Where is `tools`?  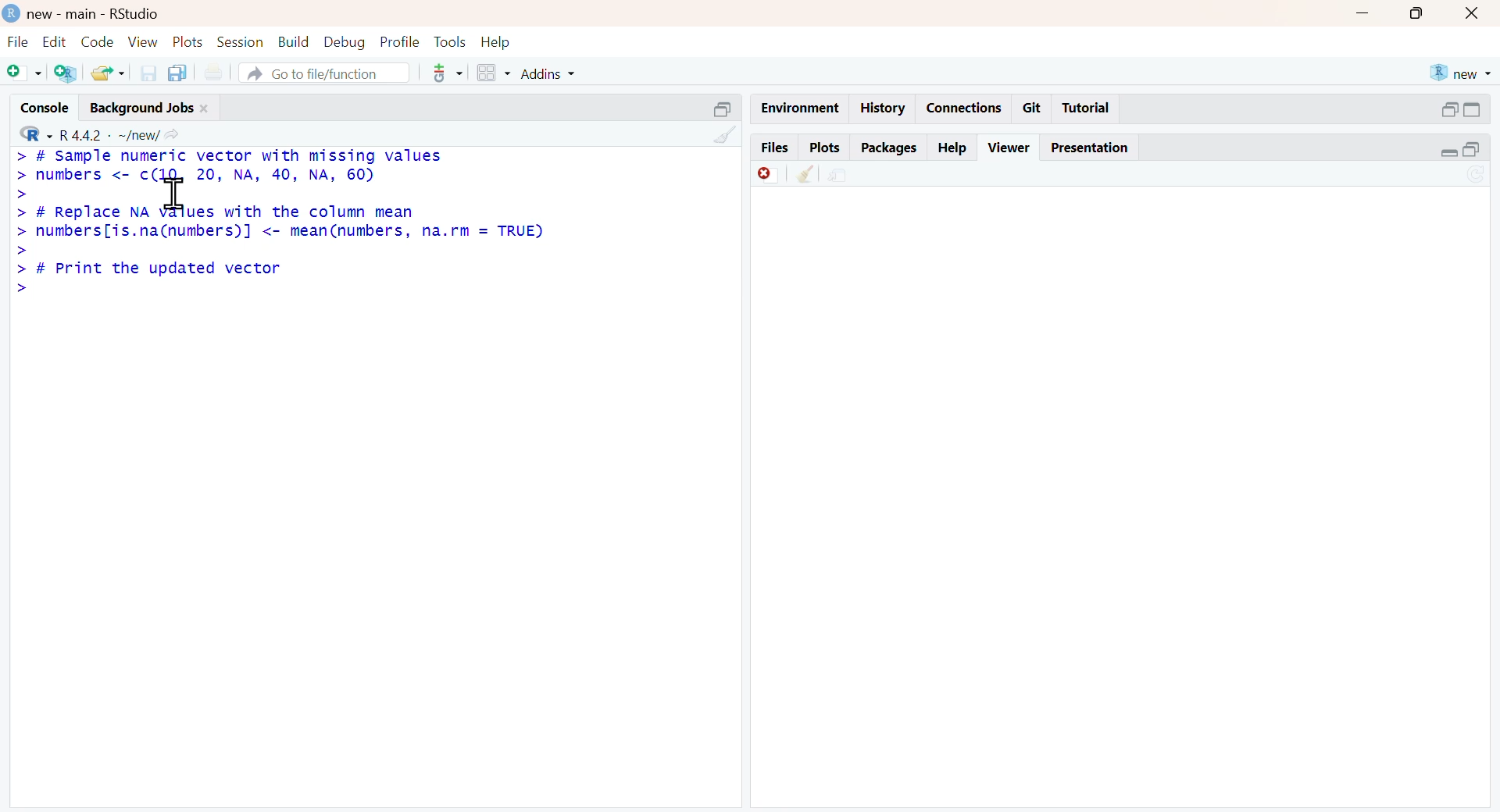
tools is located at coordinates (450, 41).